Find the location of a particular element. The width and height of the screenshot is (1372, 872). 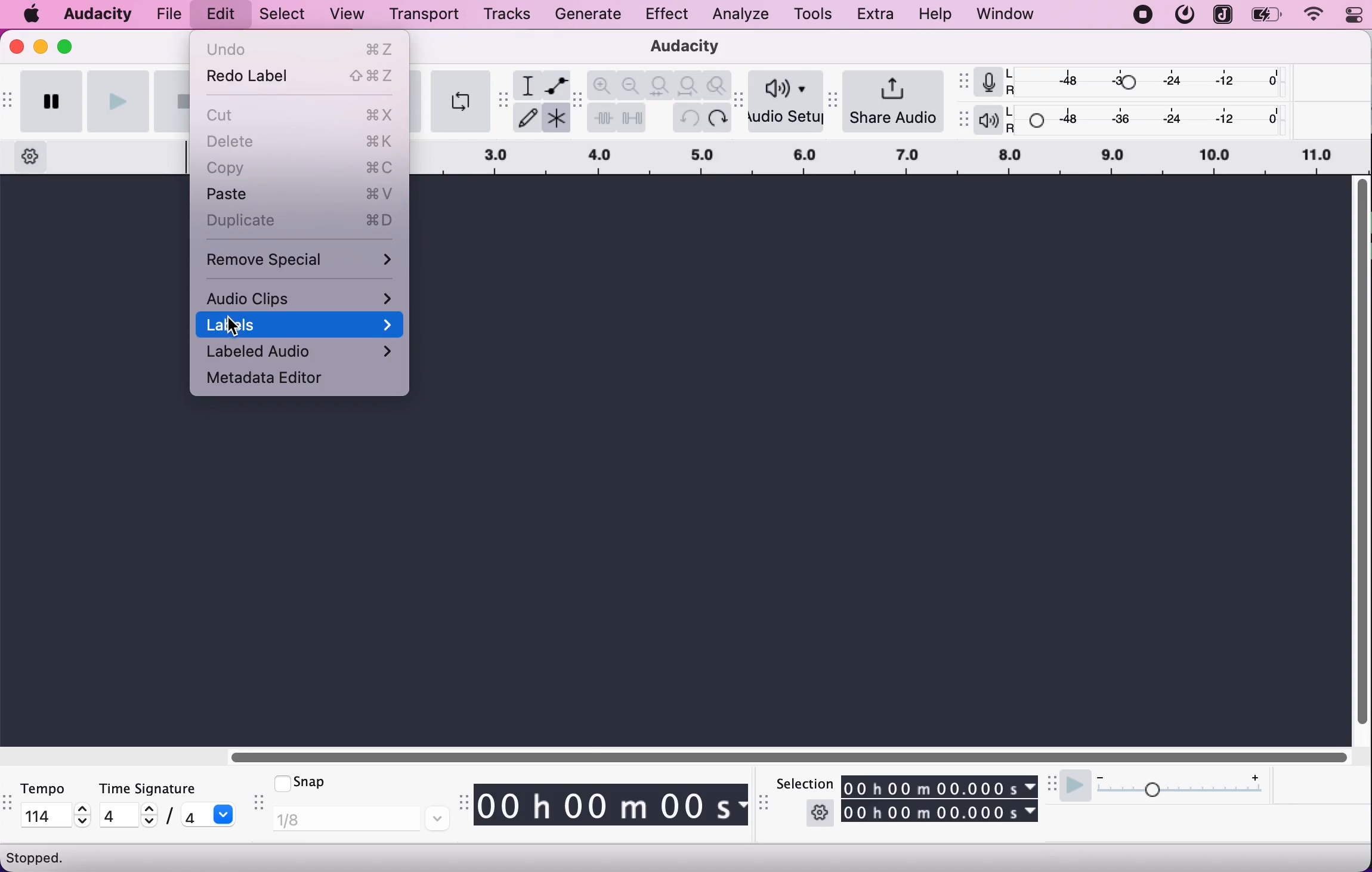

fit selection to width is located at coordinates (661, 84).